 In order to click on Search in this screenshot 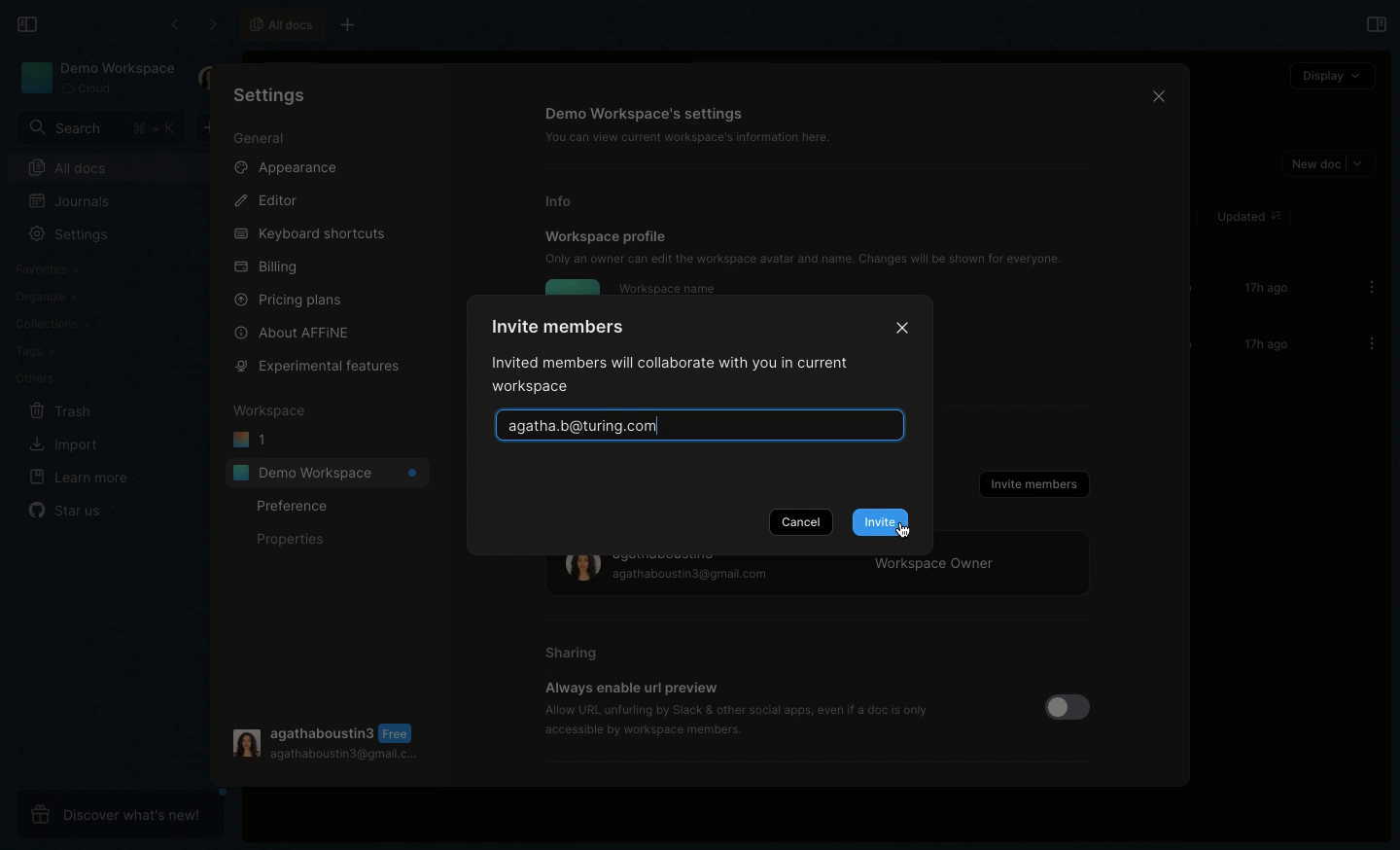, I will do `click(98, 127)`.